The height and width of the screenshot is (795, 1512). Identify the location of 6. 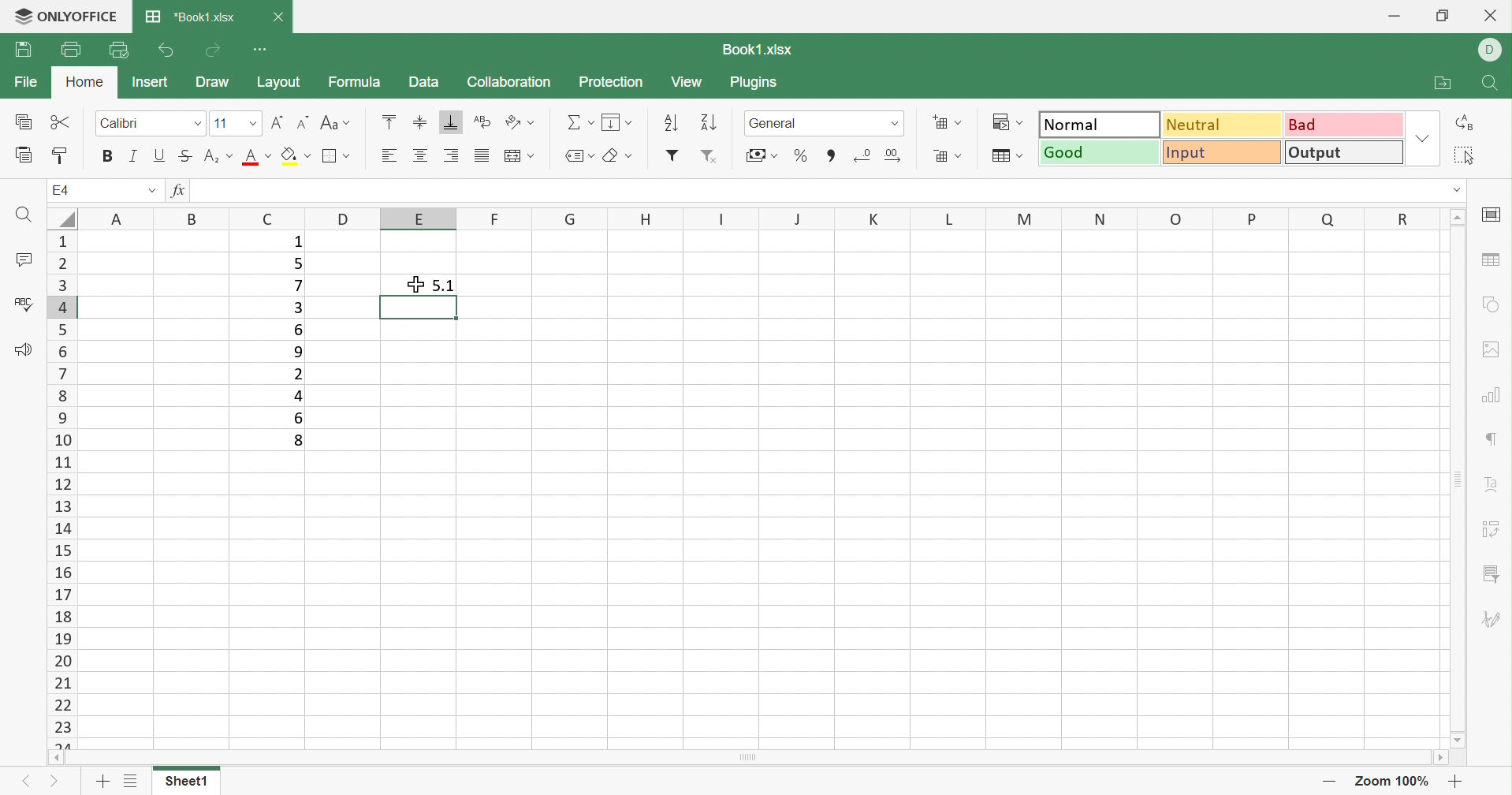
(296, 417).